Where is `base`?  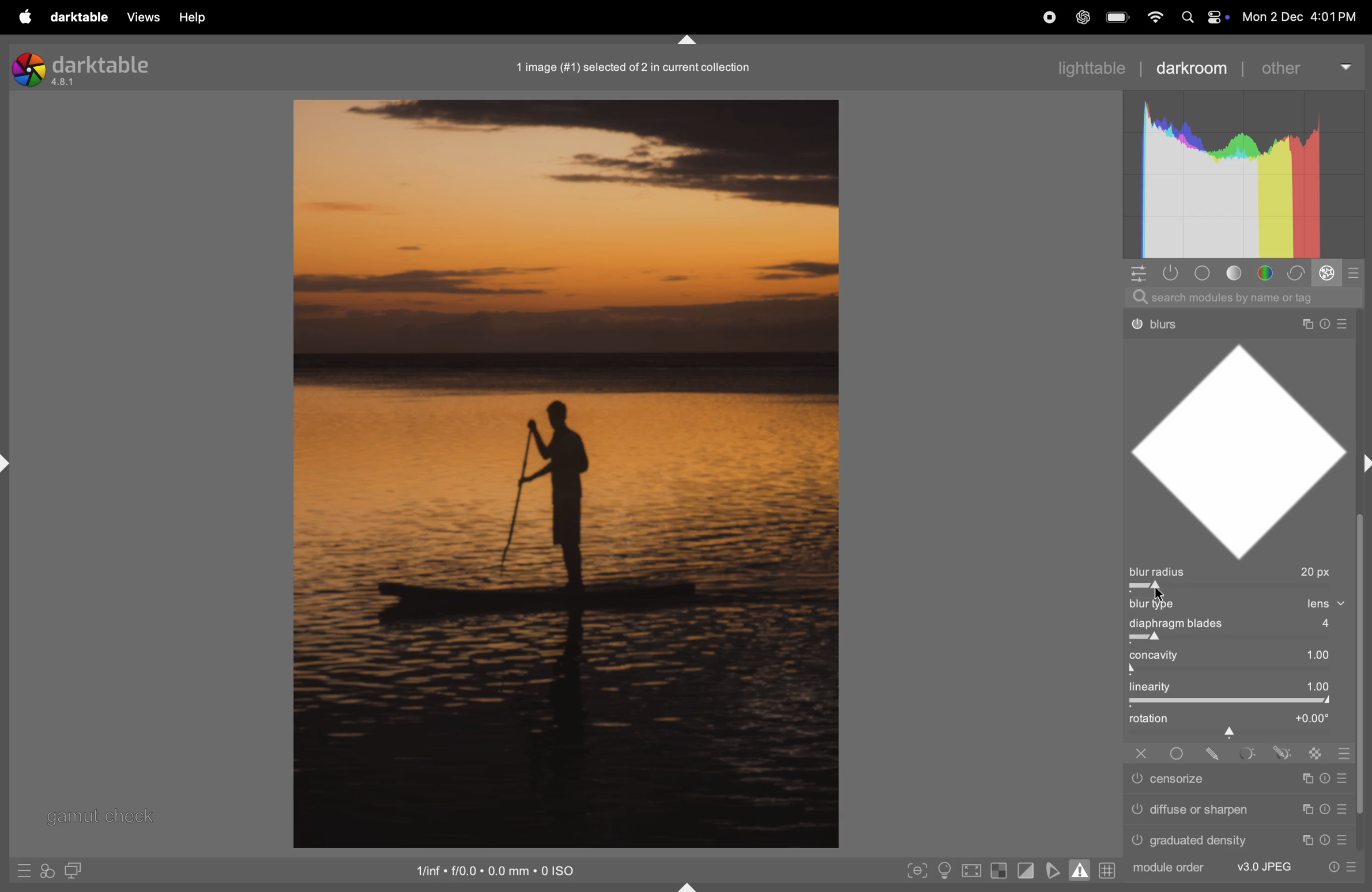 base is located at coordinates (1206, 273).